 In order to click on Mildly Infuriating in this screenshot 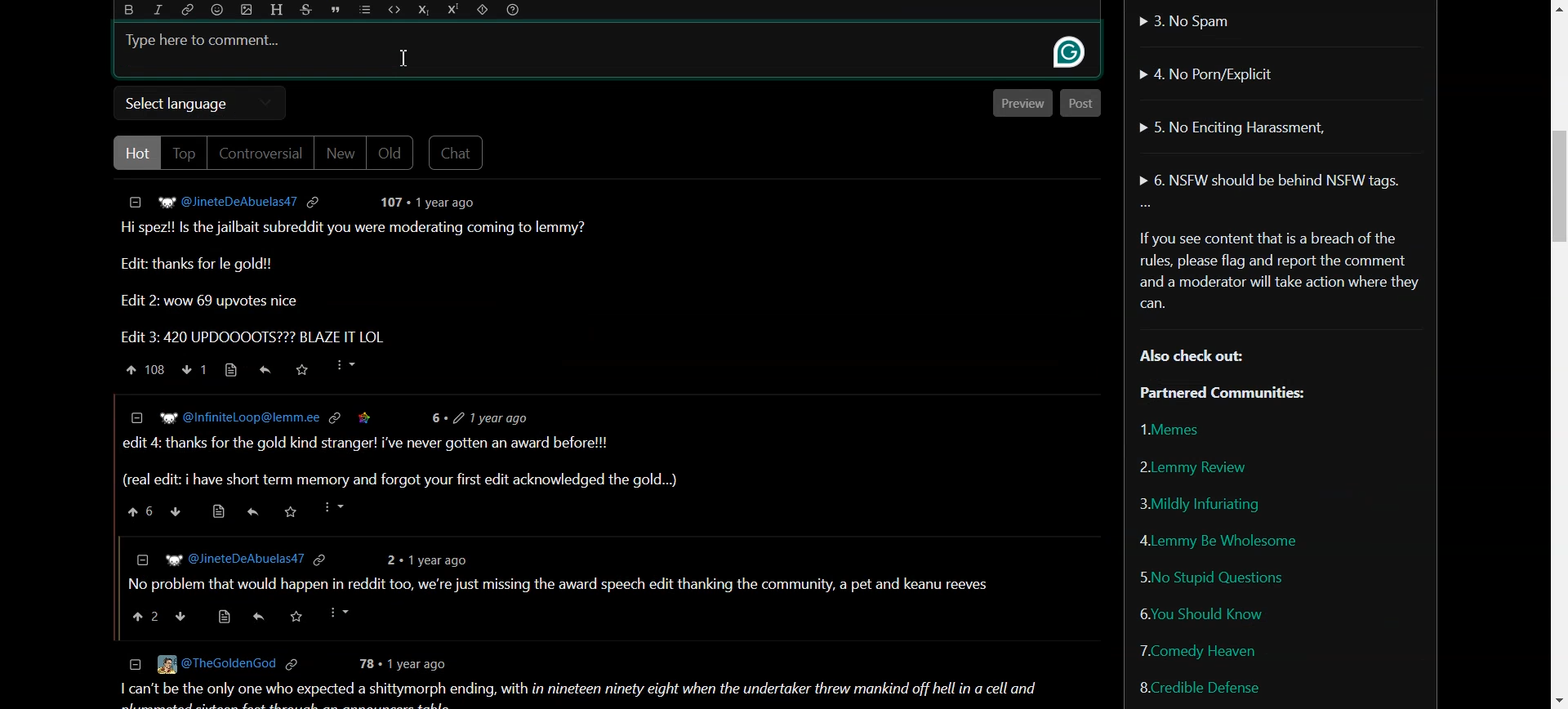, I will do `click(1218, 505)`.